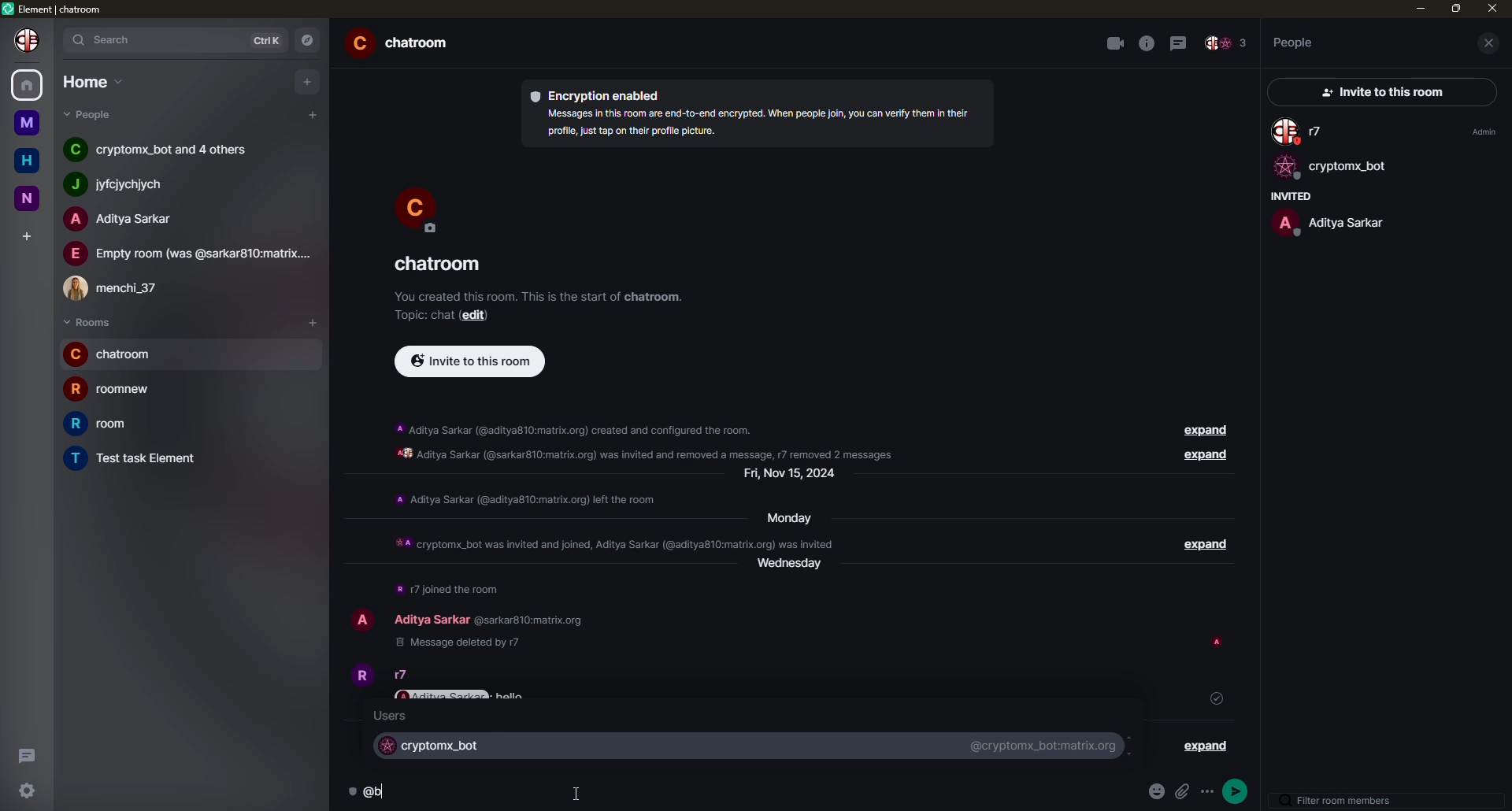 The image size is (1512, 811). I want to click on add, so click(28, 235).